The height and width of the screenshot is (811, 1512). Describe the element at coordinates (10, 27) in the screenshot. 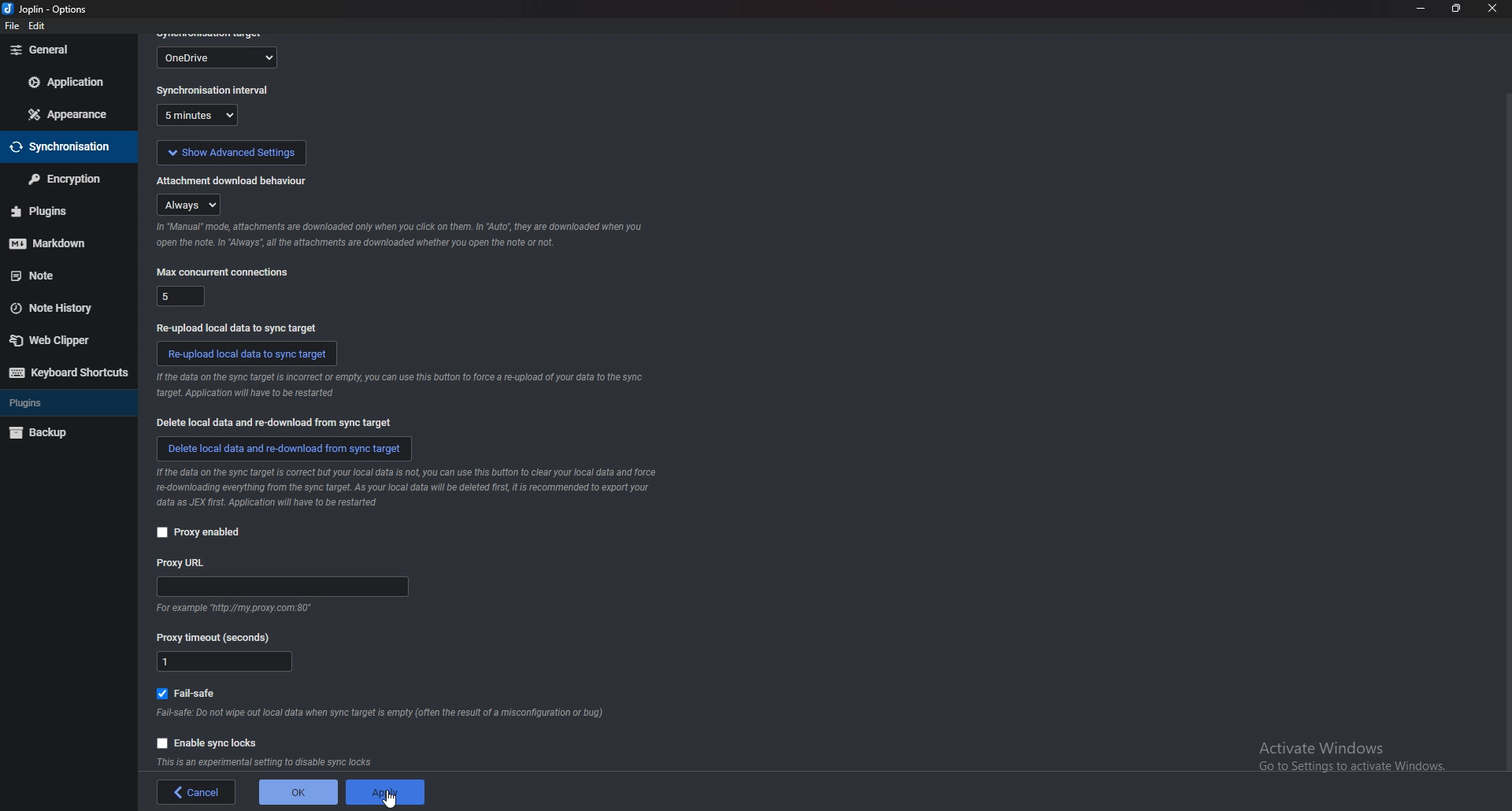

I see `file` at that location.